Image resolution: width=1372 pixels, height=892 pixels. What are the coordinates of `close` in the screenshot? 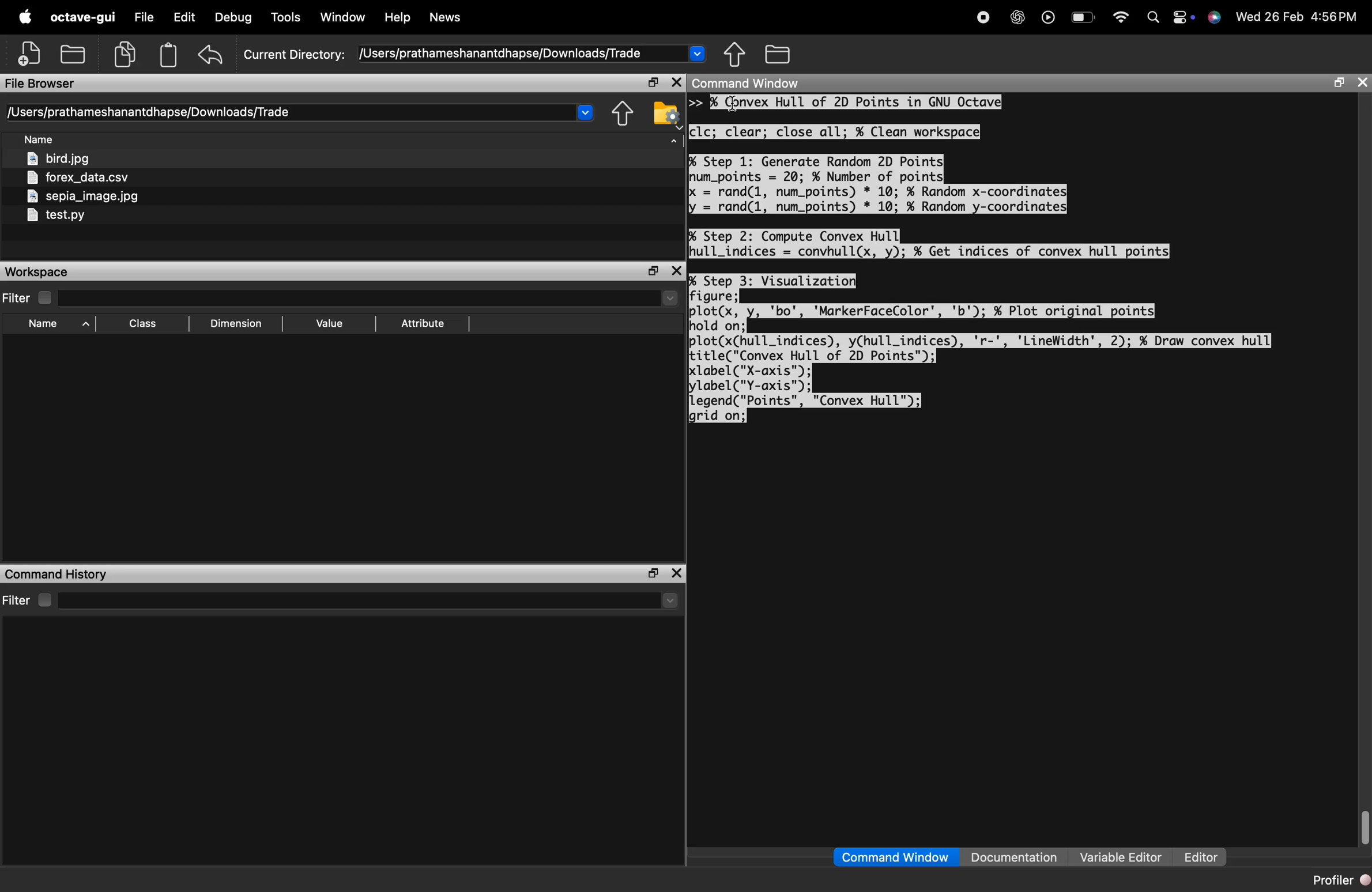 It's located at (676, 271).